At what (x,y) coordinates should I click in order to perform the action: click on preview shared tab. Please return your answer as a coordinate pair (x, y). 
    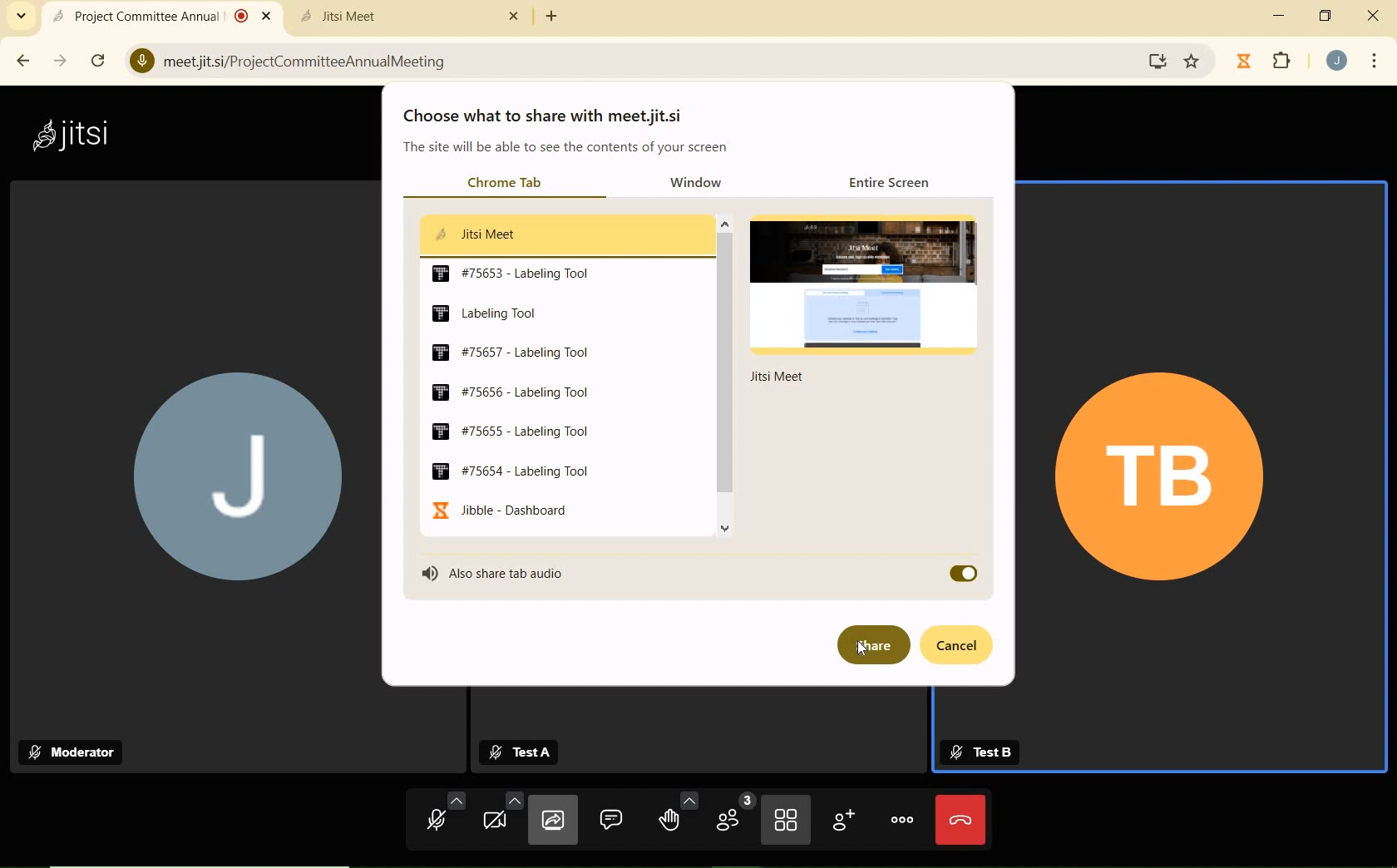
    Looking at the image, I should click on (871, 301).